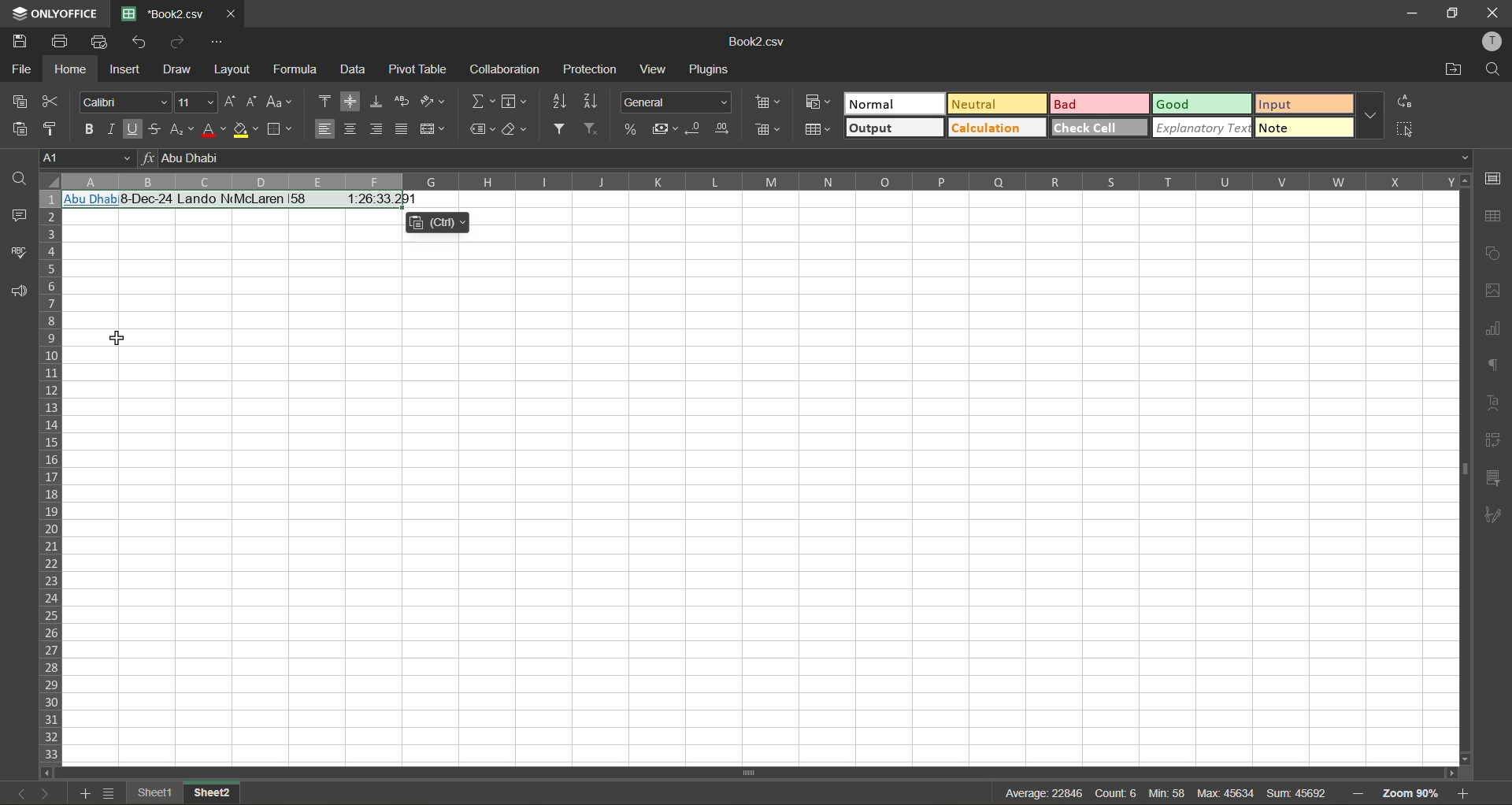  Describe the element at coordinates (1461, 759) in the screenshot. I see `move down` at that location.